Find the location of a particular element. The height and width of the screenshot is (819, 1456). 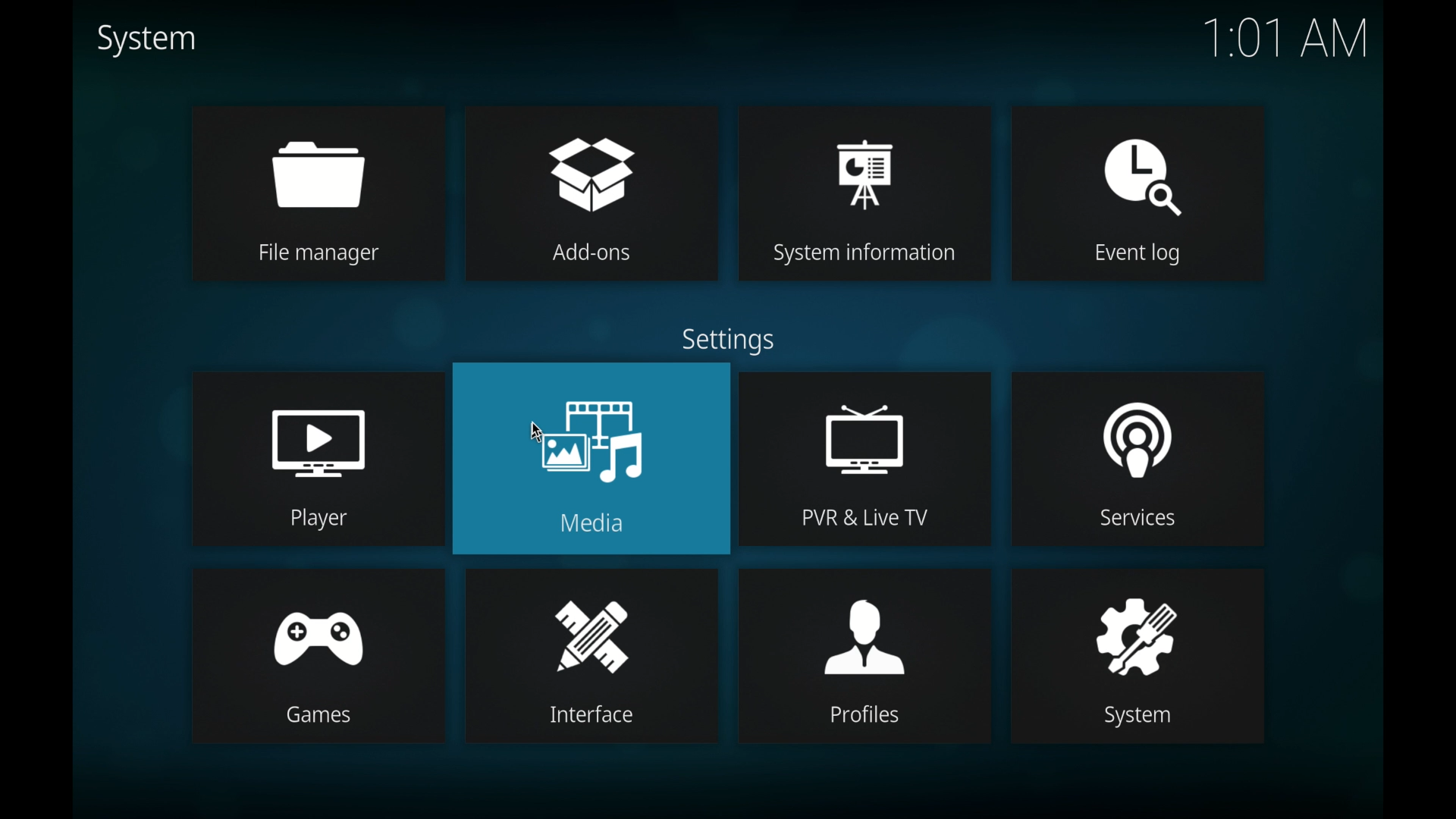

services is located at coordinates (1137, 429).